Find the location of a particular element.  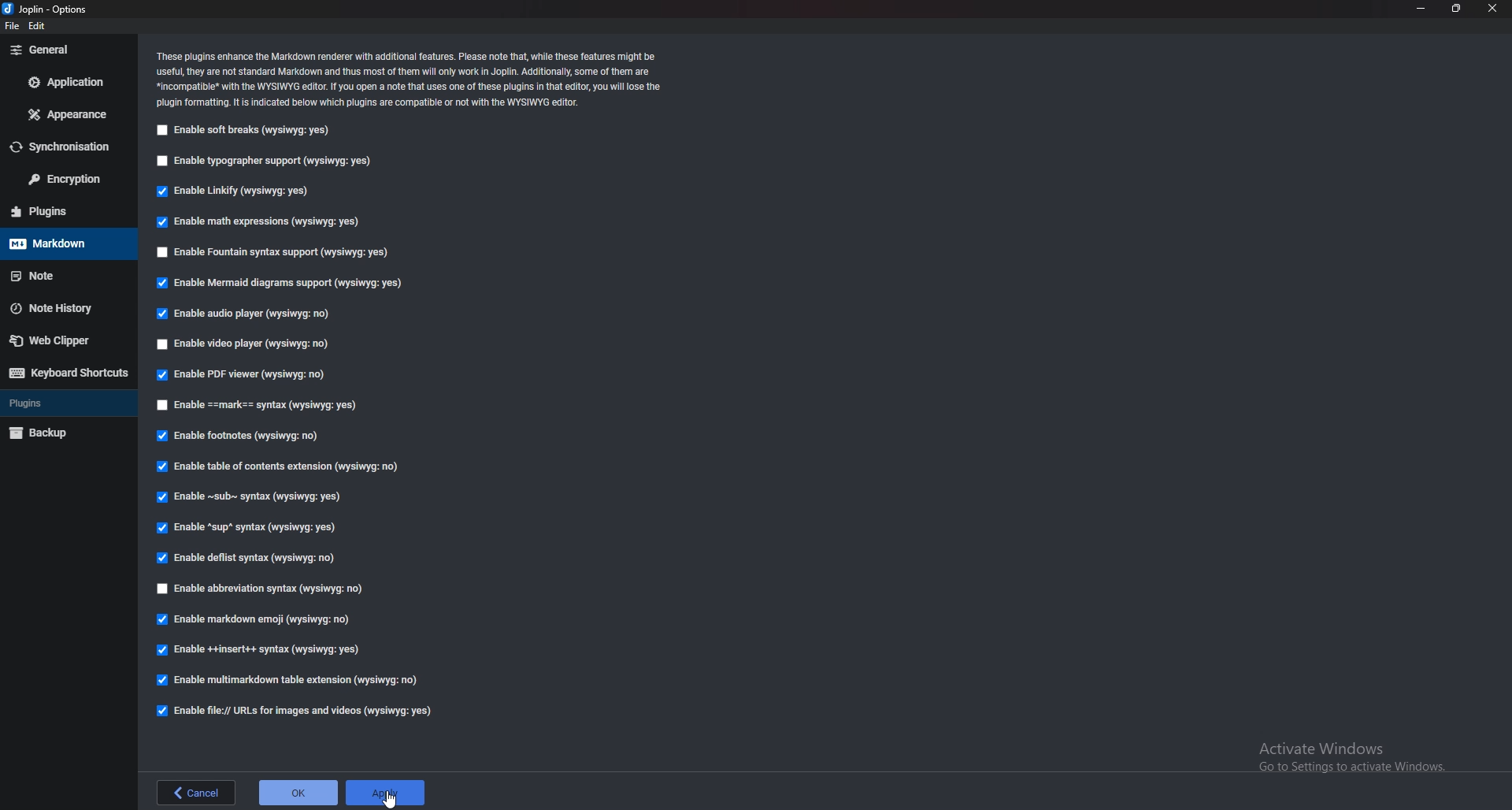

Enable P D F viewer is located at coordinates (239, 374).